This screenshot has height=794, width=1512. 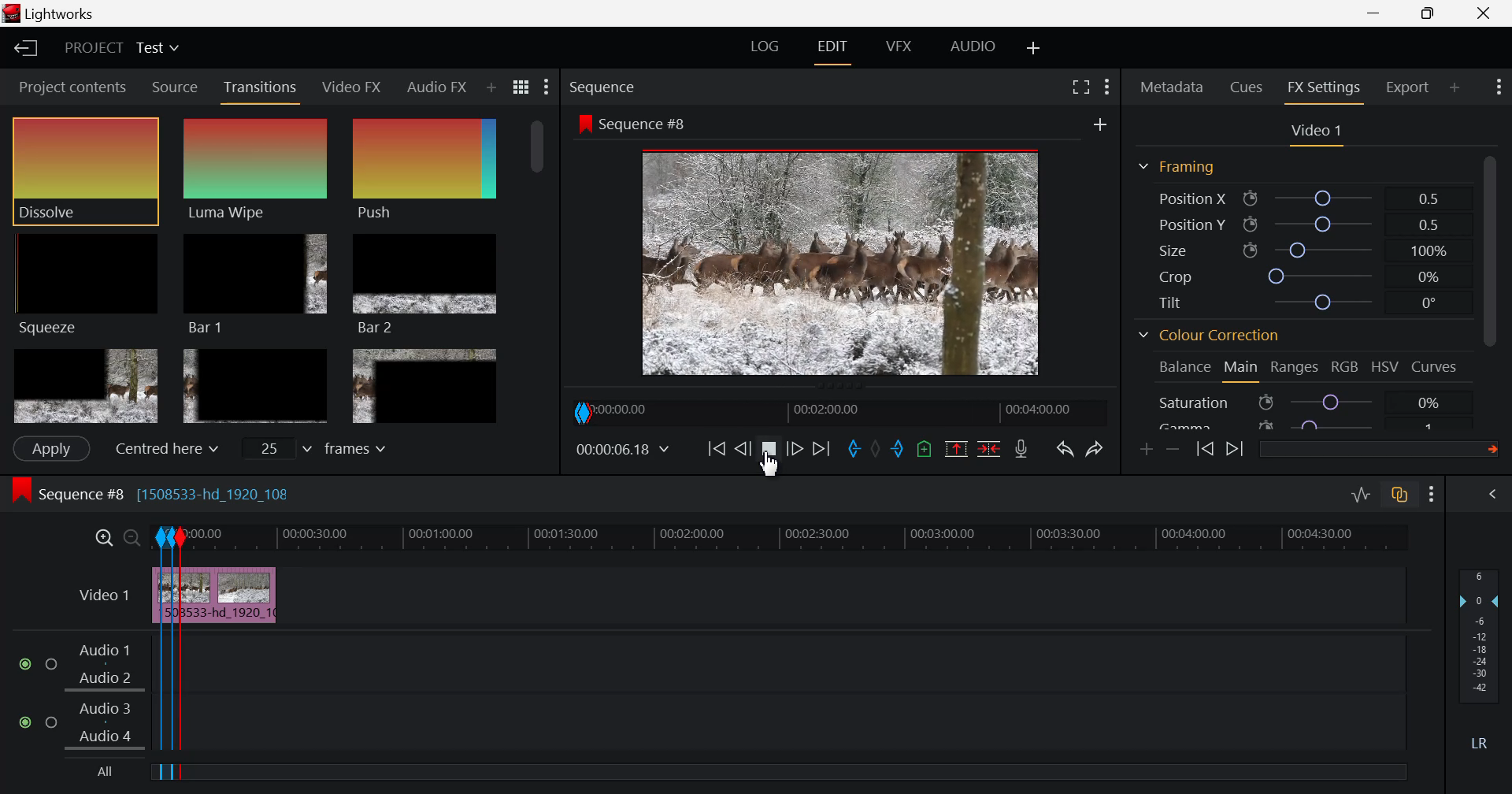 What do you see at coordinates (85, 171) in the screenshot?
I see `Dissolve Effect` at bounding box center [85, 171].